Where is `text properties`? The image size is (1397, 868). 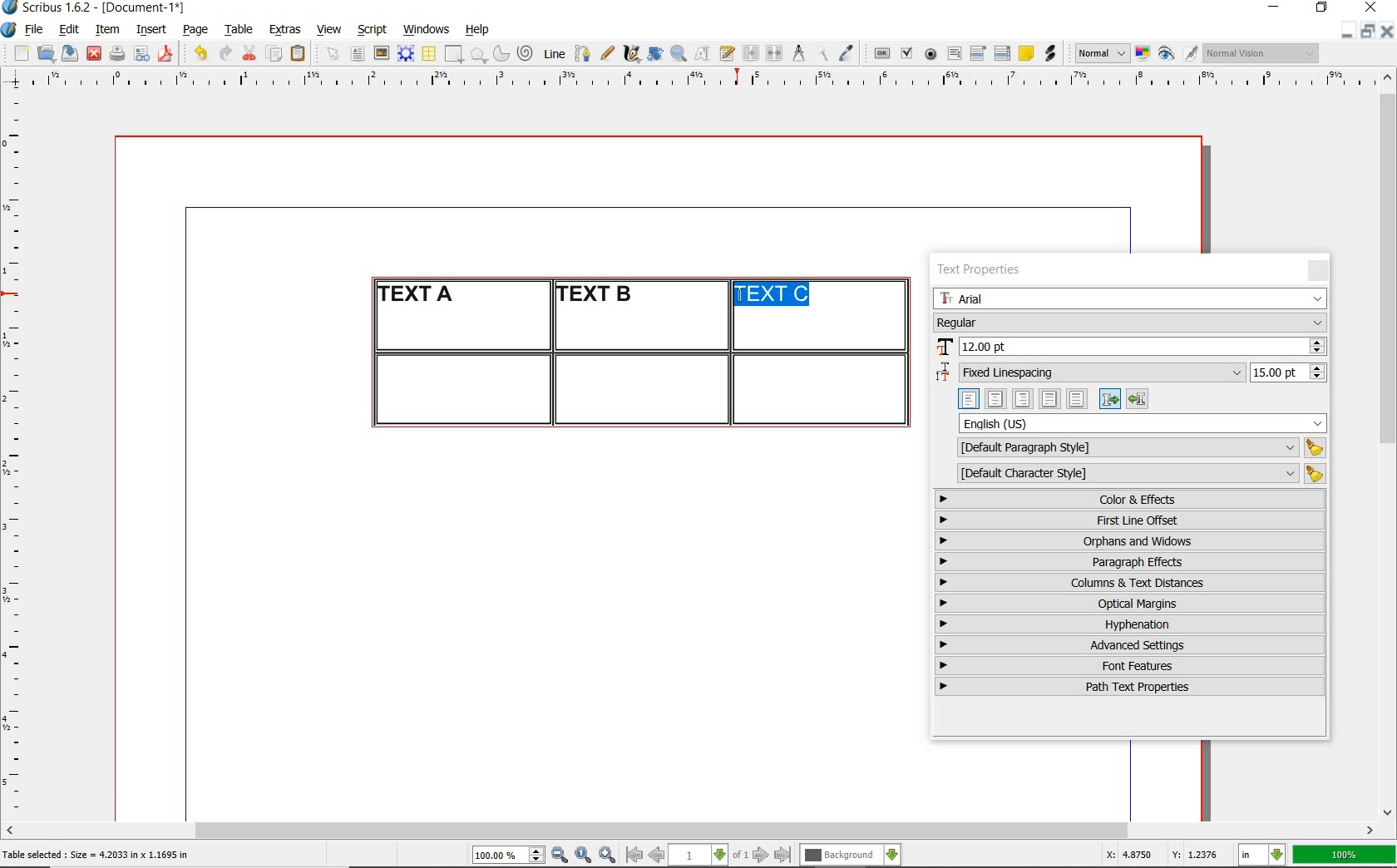 text properties is located at coordinates (985, 269).